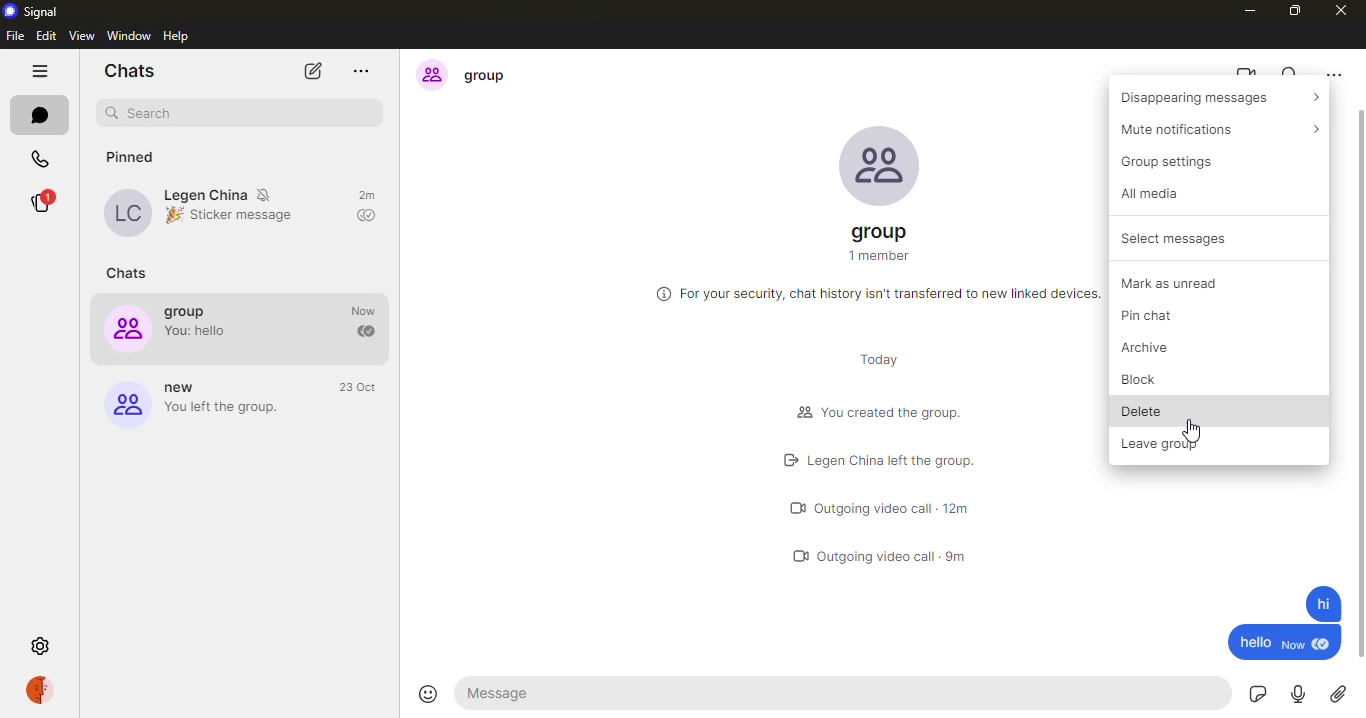 Image resolution: width=1366 pixels, height=718 pixels. Describe the element at coordinates (359, 388) in the screenshot. I see `time` at that location.